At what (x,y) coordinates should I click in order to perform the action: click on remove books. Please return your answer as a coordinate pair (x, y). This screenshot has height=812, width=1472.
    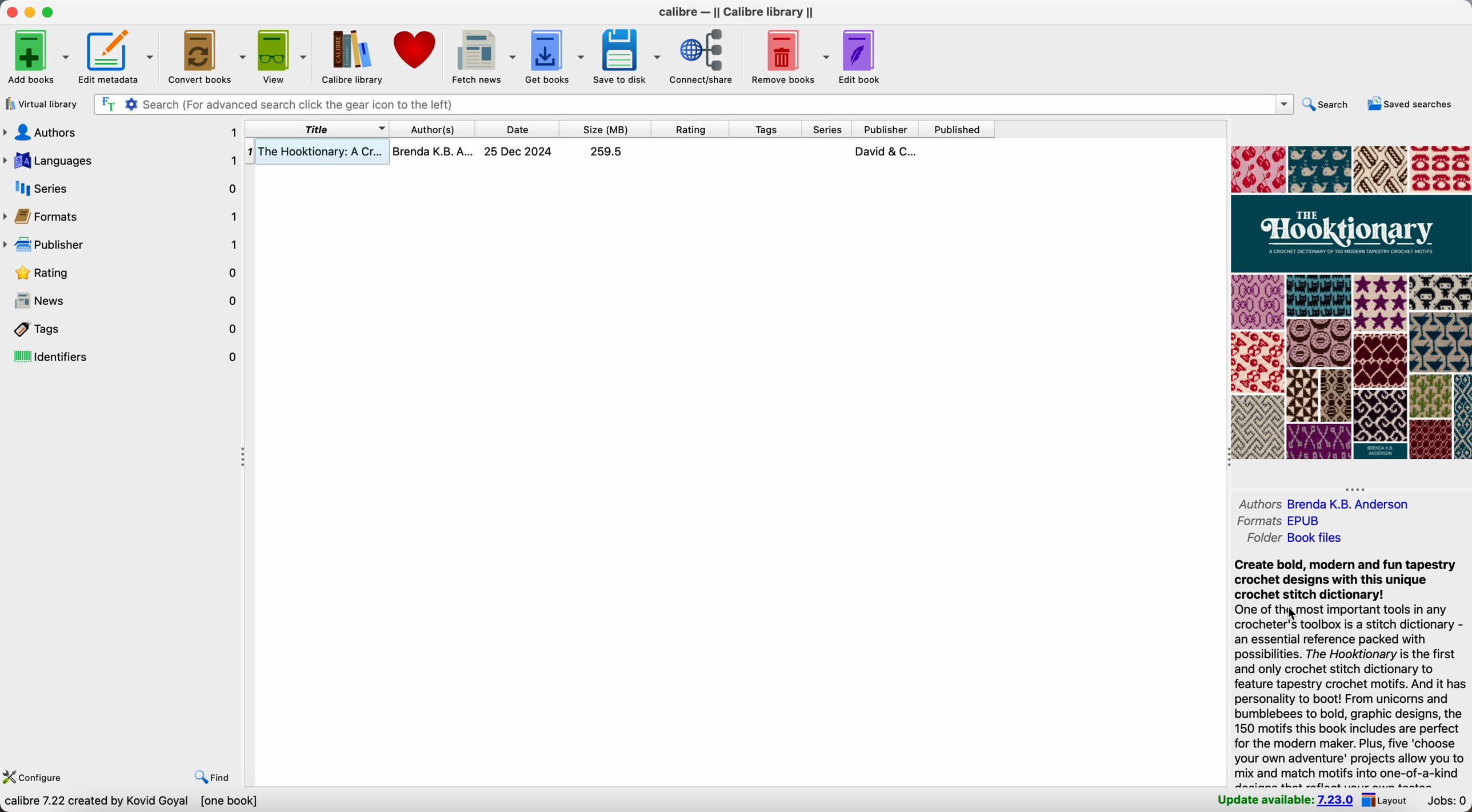
    Looking at the image, I should click on (787, 55).